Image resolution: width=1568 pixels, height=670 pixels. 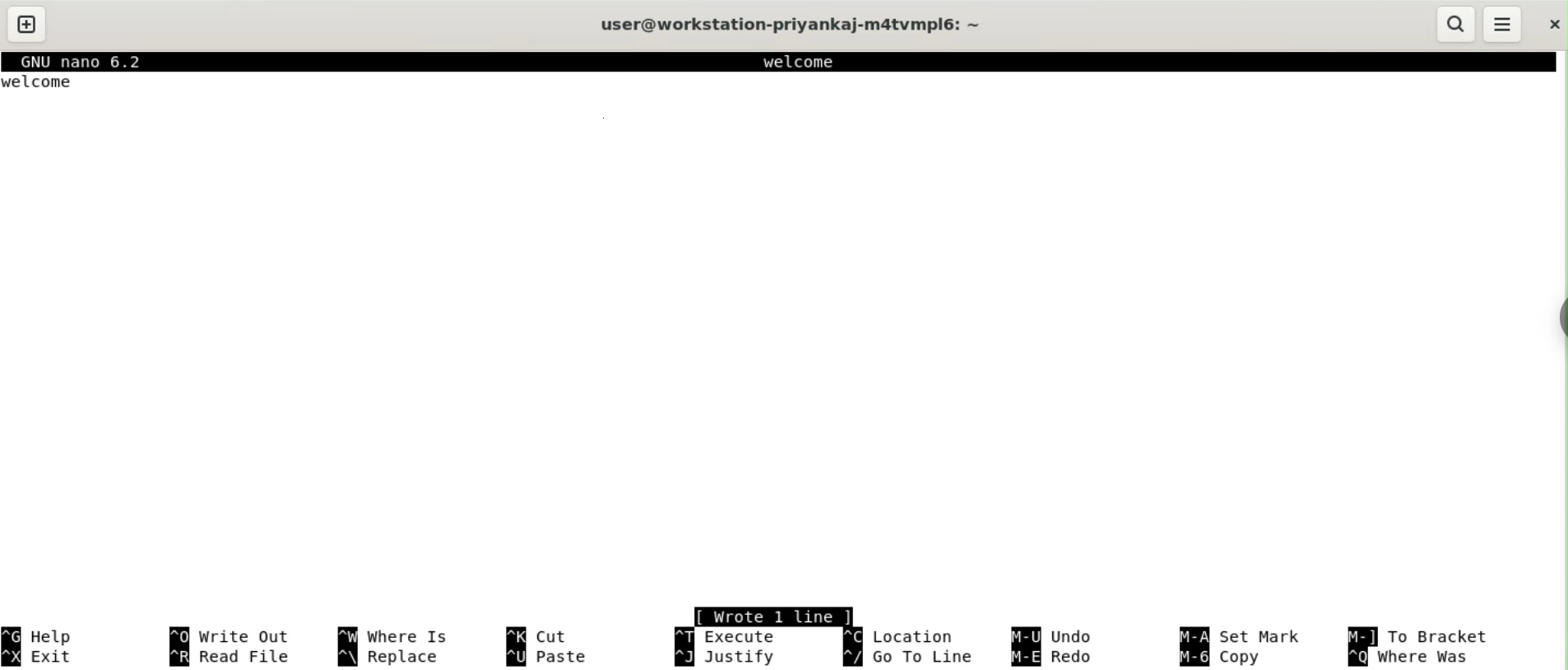 What do you see at coordinates (900, 636) in the screenshot?
I see `location` at bounding box center [900, 636].